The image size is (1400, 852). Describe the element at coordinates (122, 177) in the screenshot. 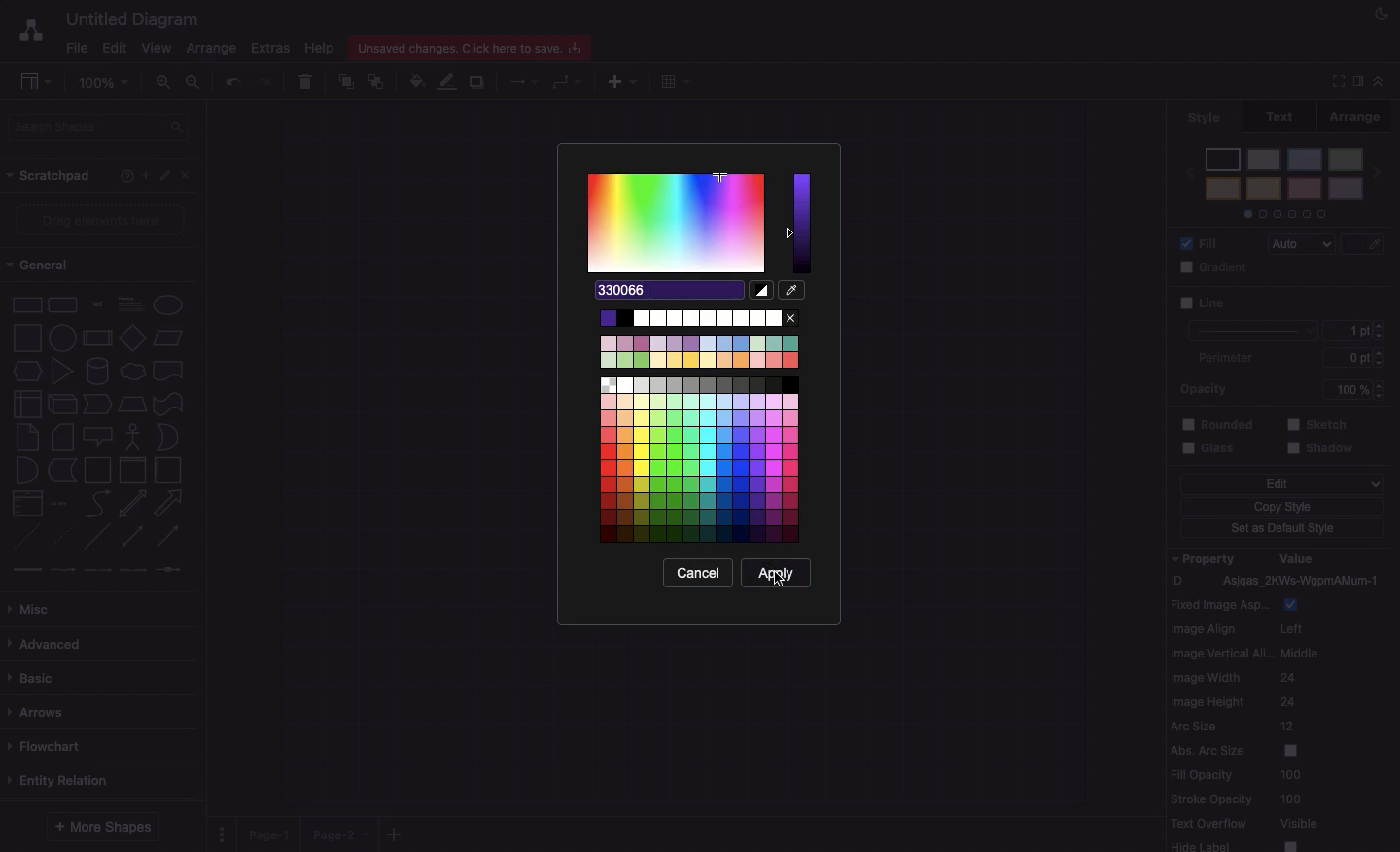

I see `Help` at that location.